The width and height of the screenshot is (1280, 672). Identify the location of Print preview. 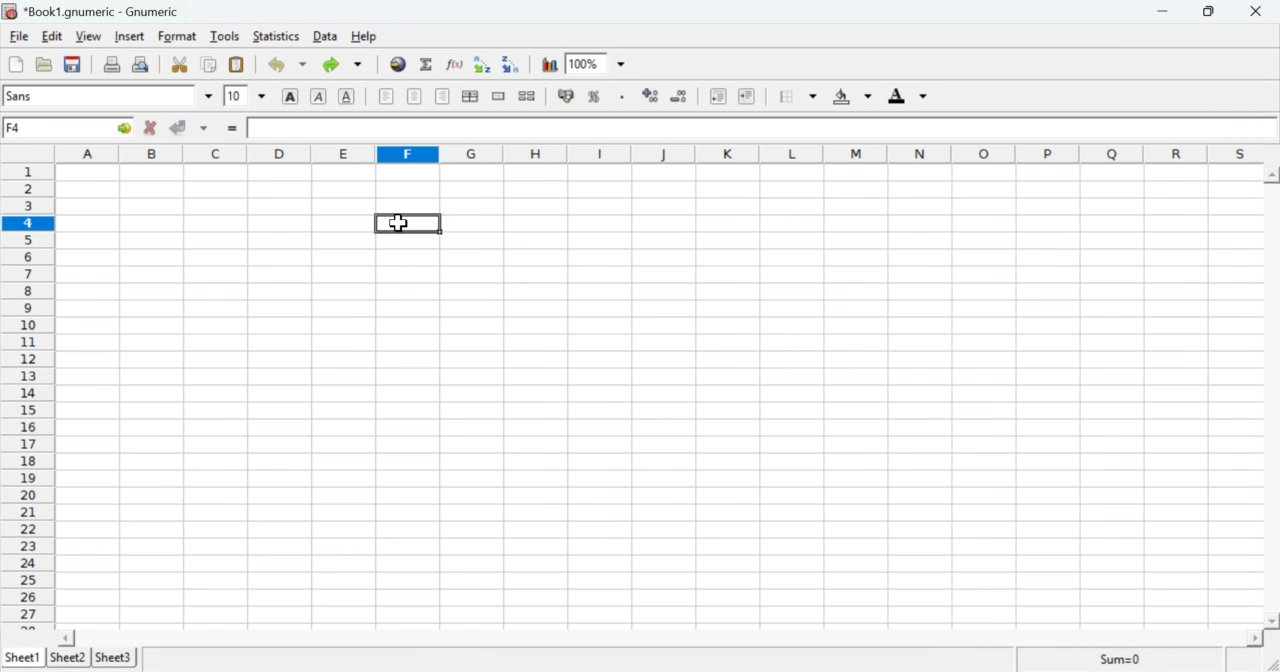
(142, 65).